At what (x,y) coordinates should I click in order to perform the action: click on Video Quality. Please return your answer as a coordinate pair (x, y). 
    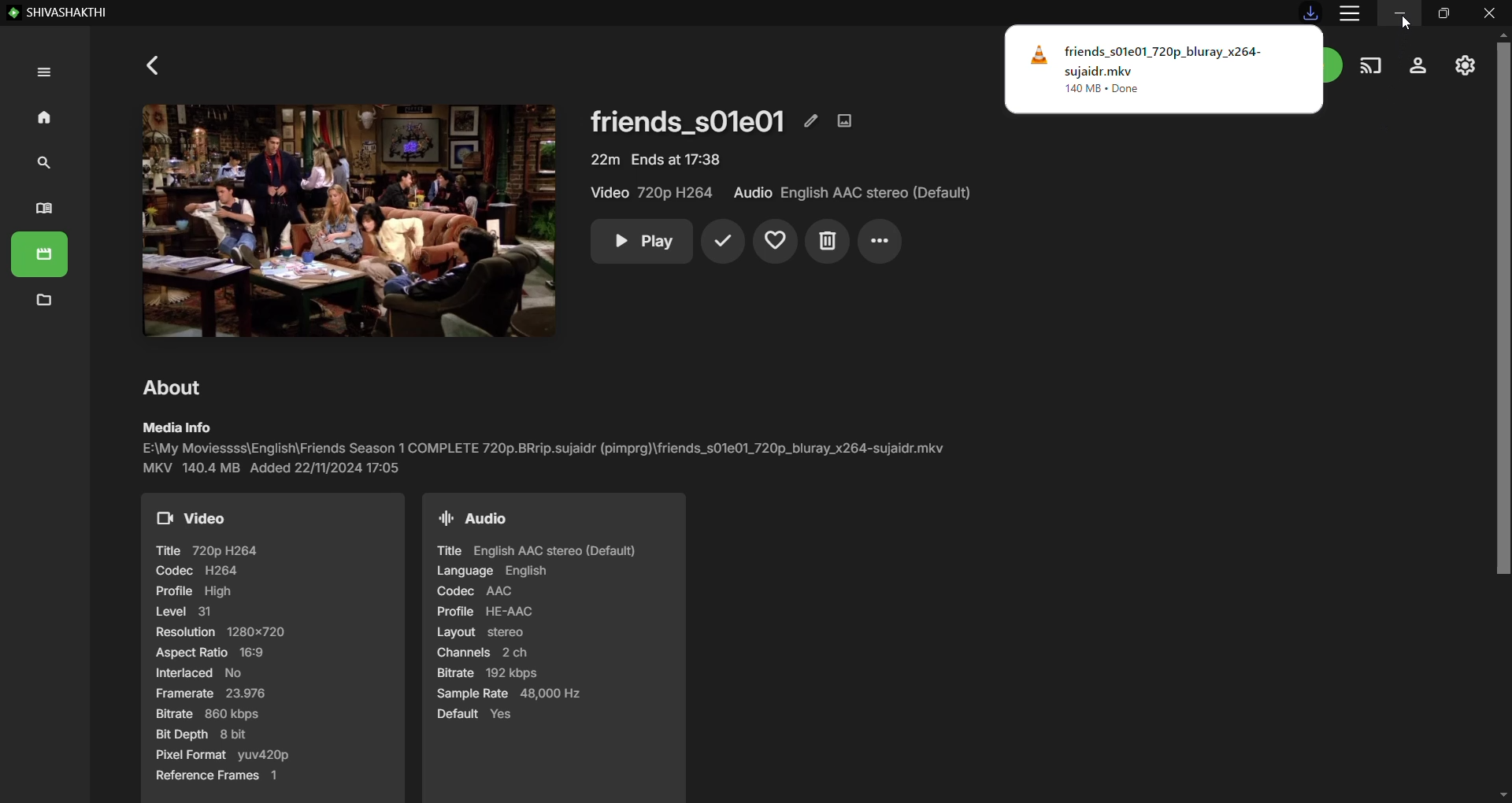
    Looking at the image, I should click on (654, 193).